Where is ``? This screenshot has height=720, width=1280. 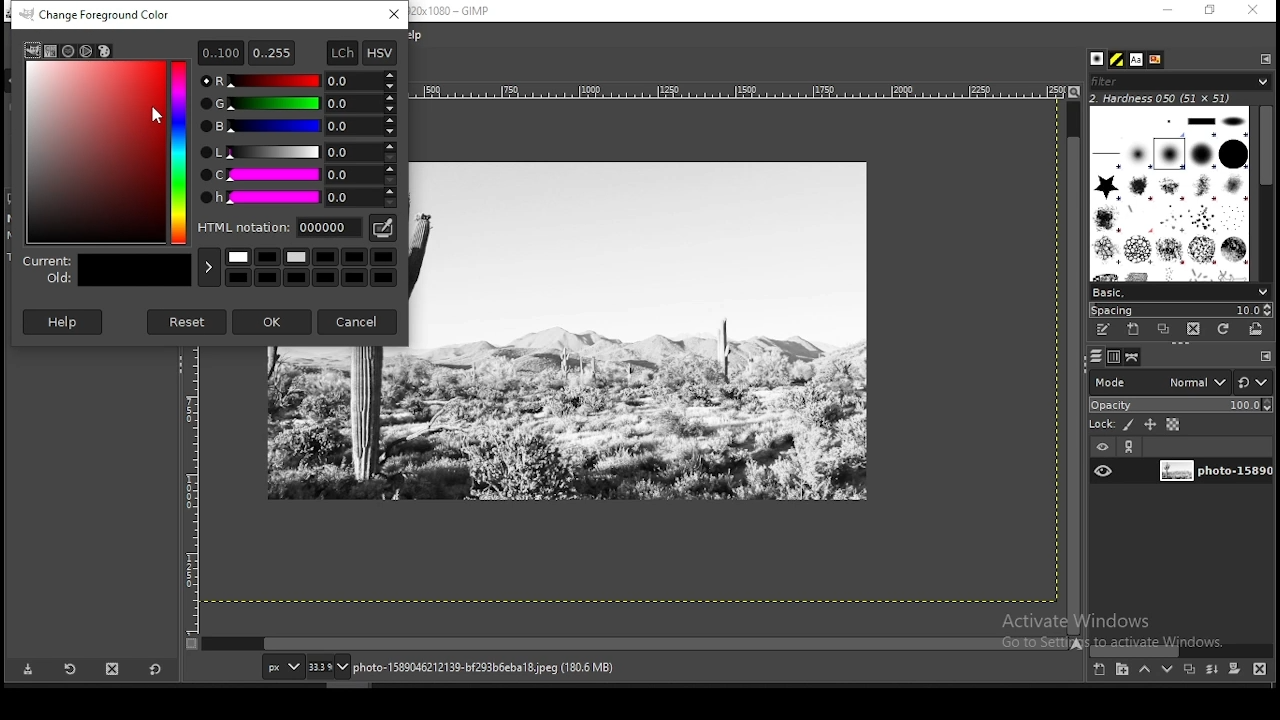
 is located at coordinates (506, 667).